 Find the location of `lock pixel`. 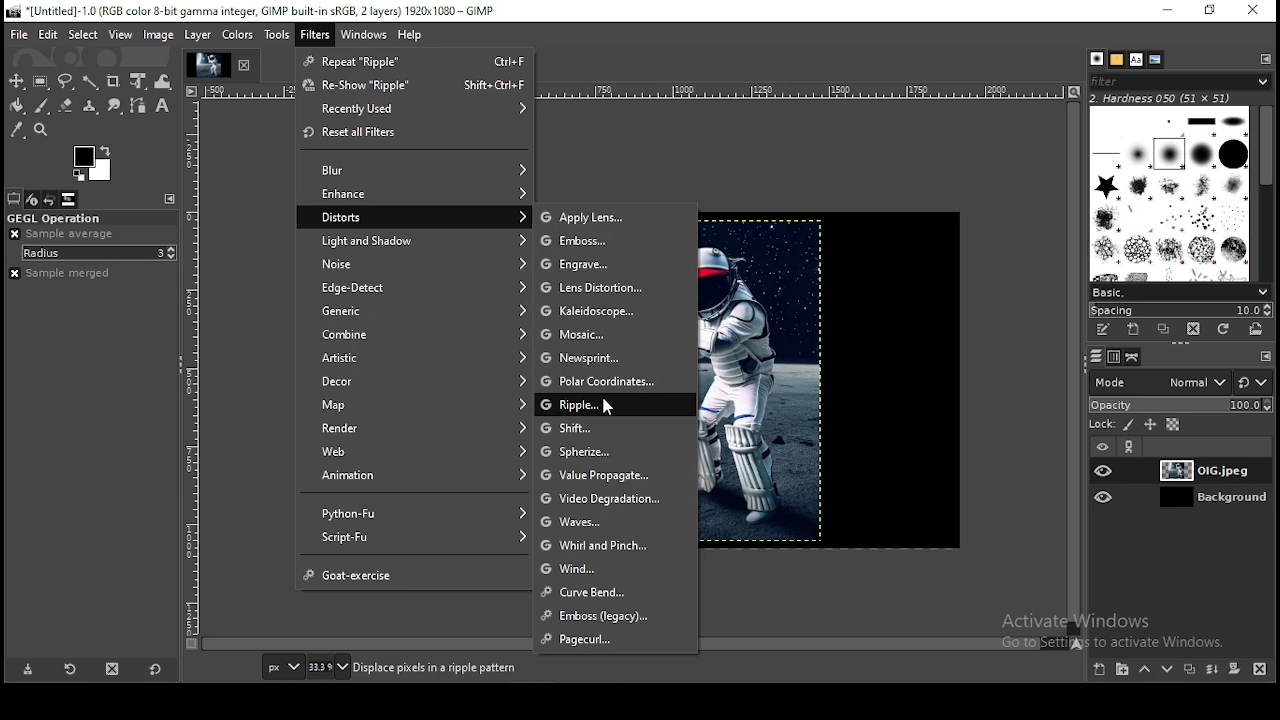

lock pixel is located at coordinates (1129, 425).